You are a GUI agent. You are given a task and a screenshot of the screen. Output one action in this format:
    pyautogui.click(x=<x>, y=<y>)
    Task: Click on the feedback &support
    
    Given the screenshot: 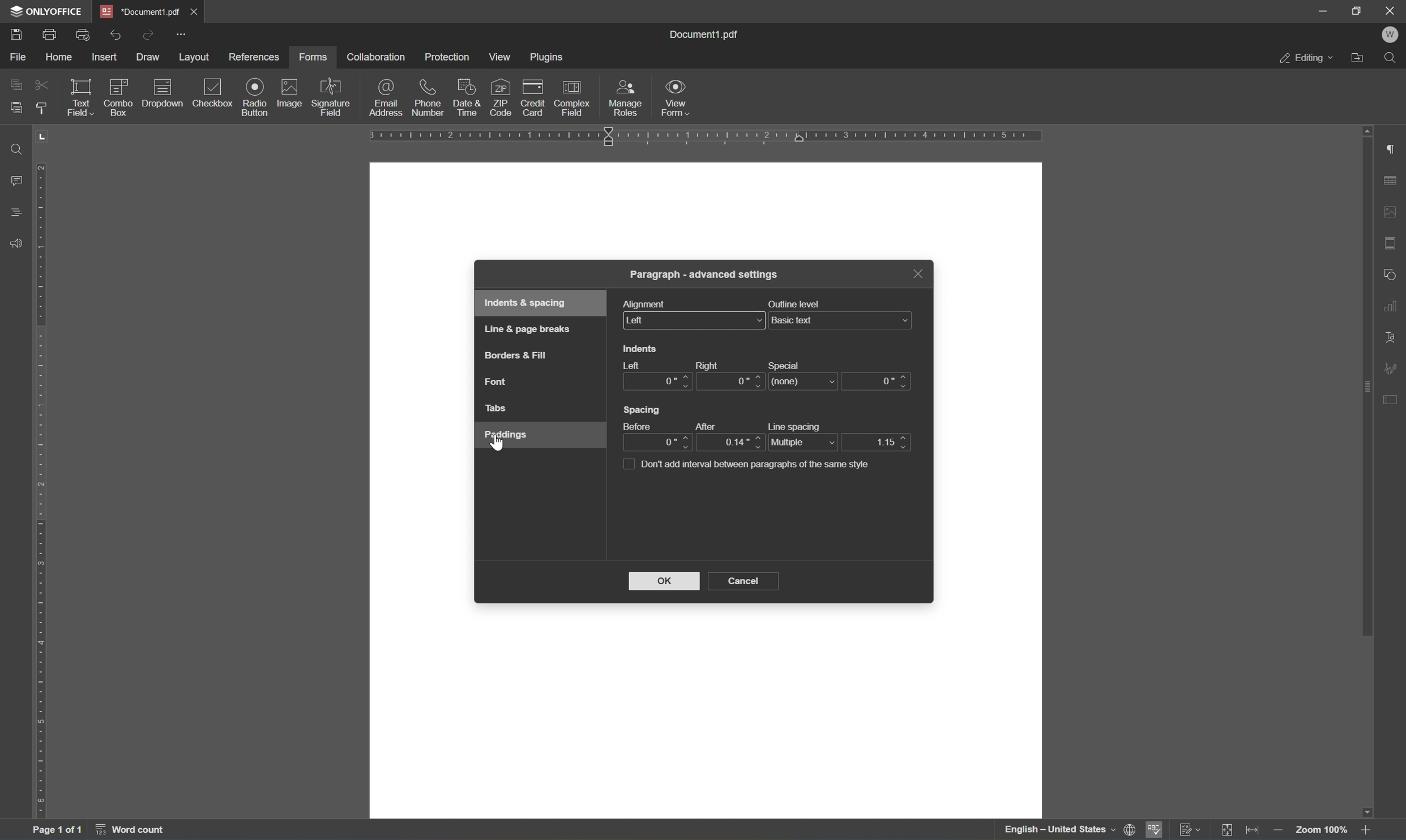 What is the action you would take?
    pyautogui.click(x=17, y=242)
    